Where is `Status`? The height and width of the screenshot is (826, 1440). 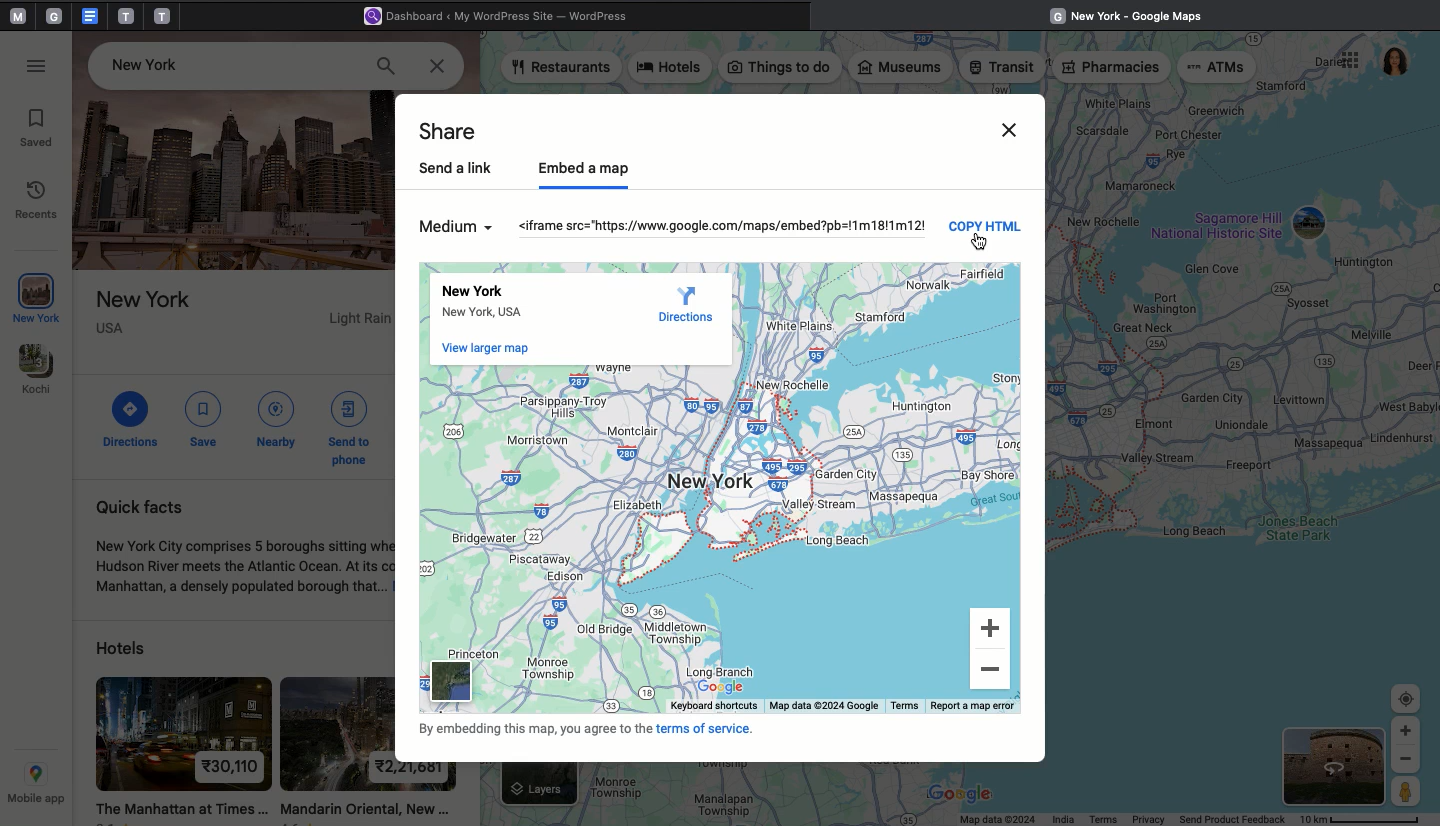
Status is located at coordinates (960, 819).